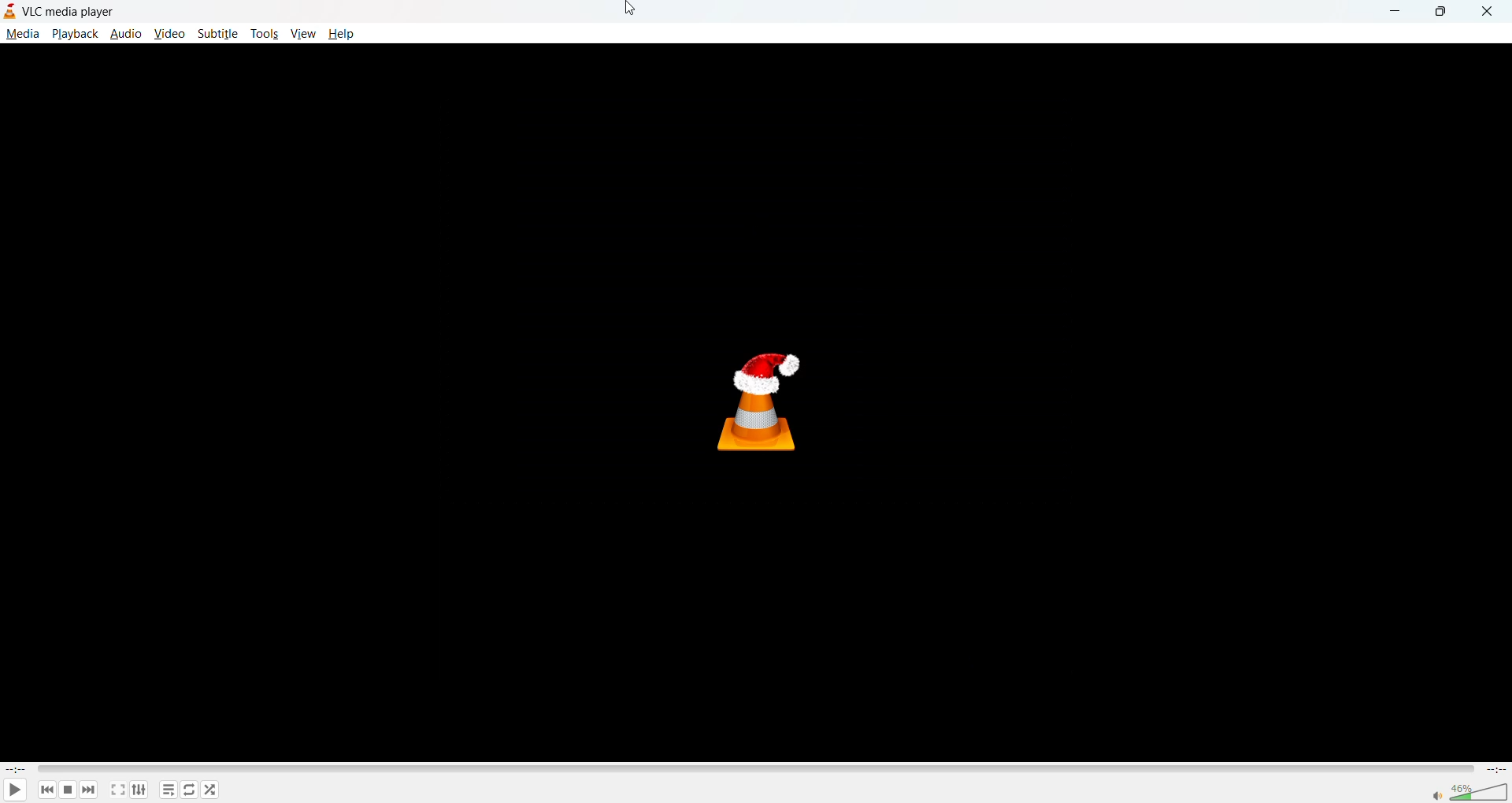 This screenshot has width=1512, height=803. I want to click on current track time, so click(16, 768).